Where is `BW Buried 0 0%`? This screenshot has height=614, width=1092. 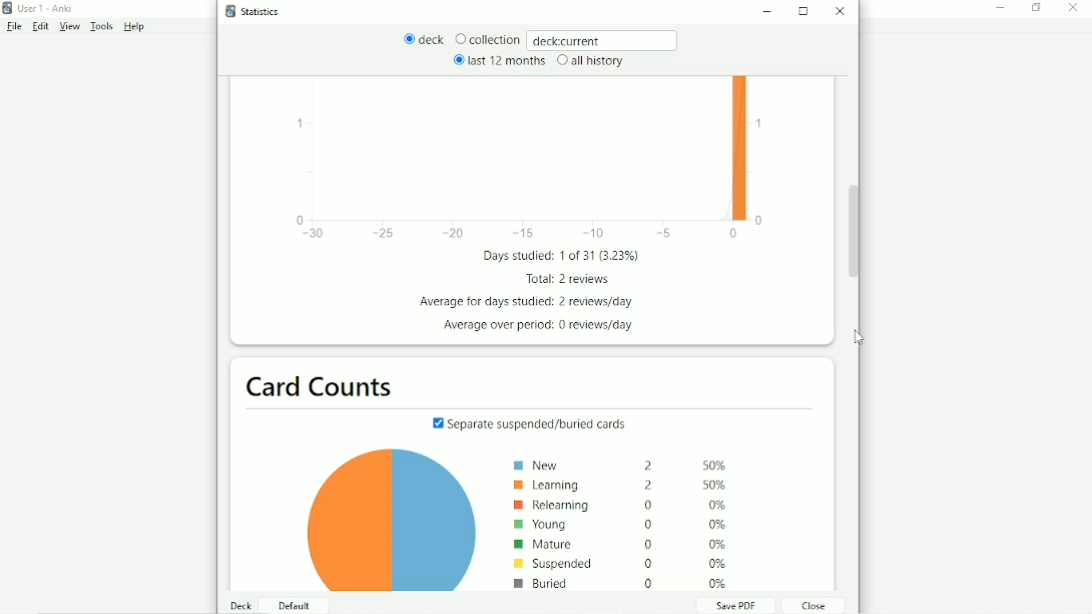 BW Buried 0 0% is located at coordinates (625, 583).